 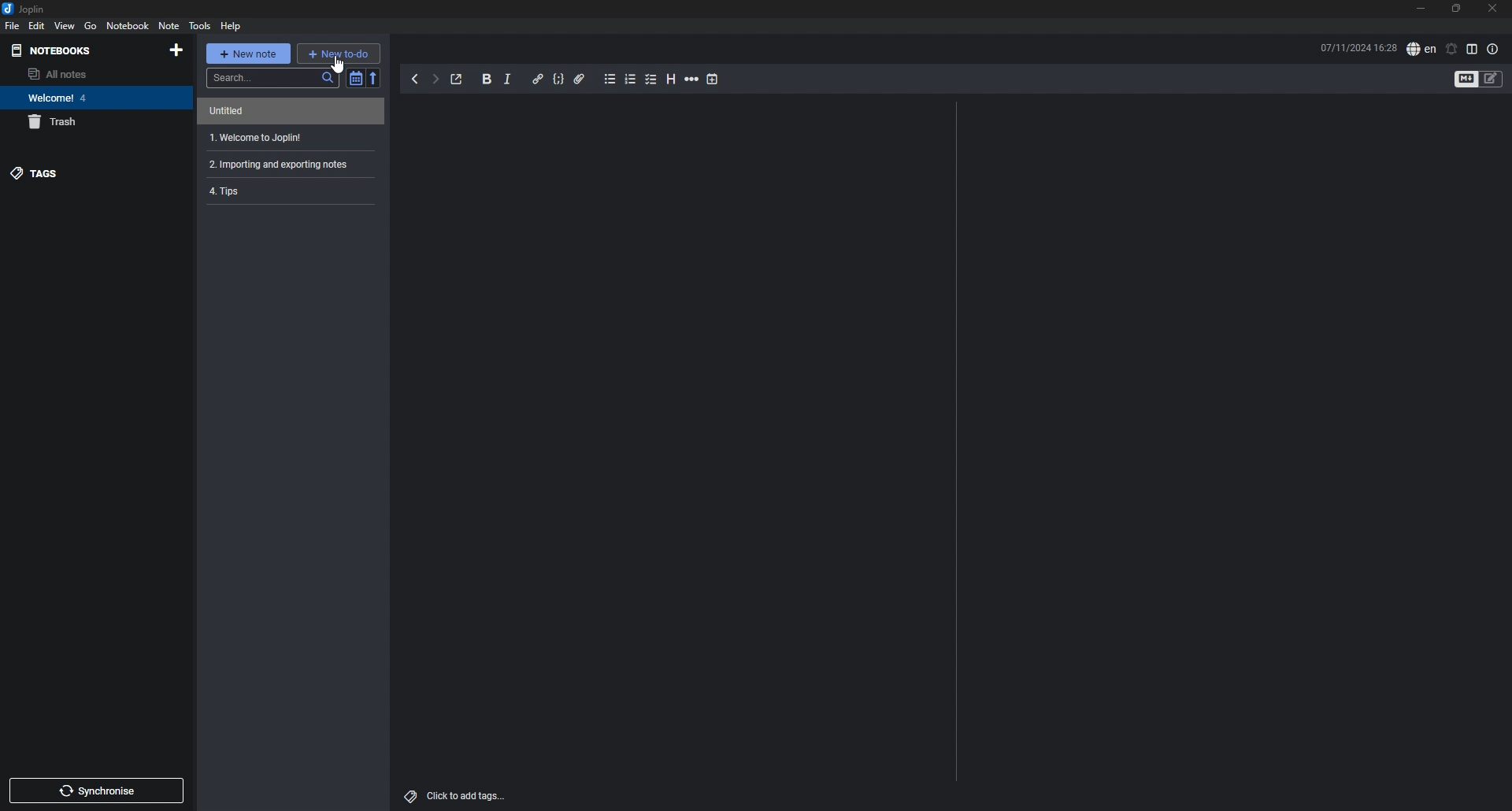 I want to click on bold, so click(x=487, y=79).